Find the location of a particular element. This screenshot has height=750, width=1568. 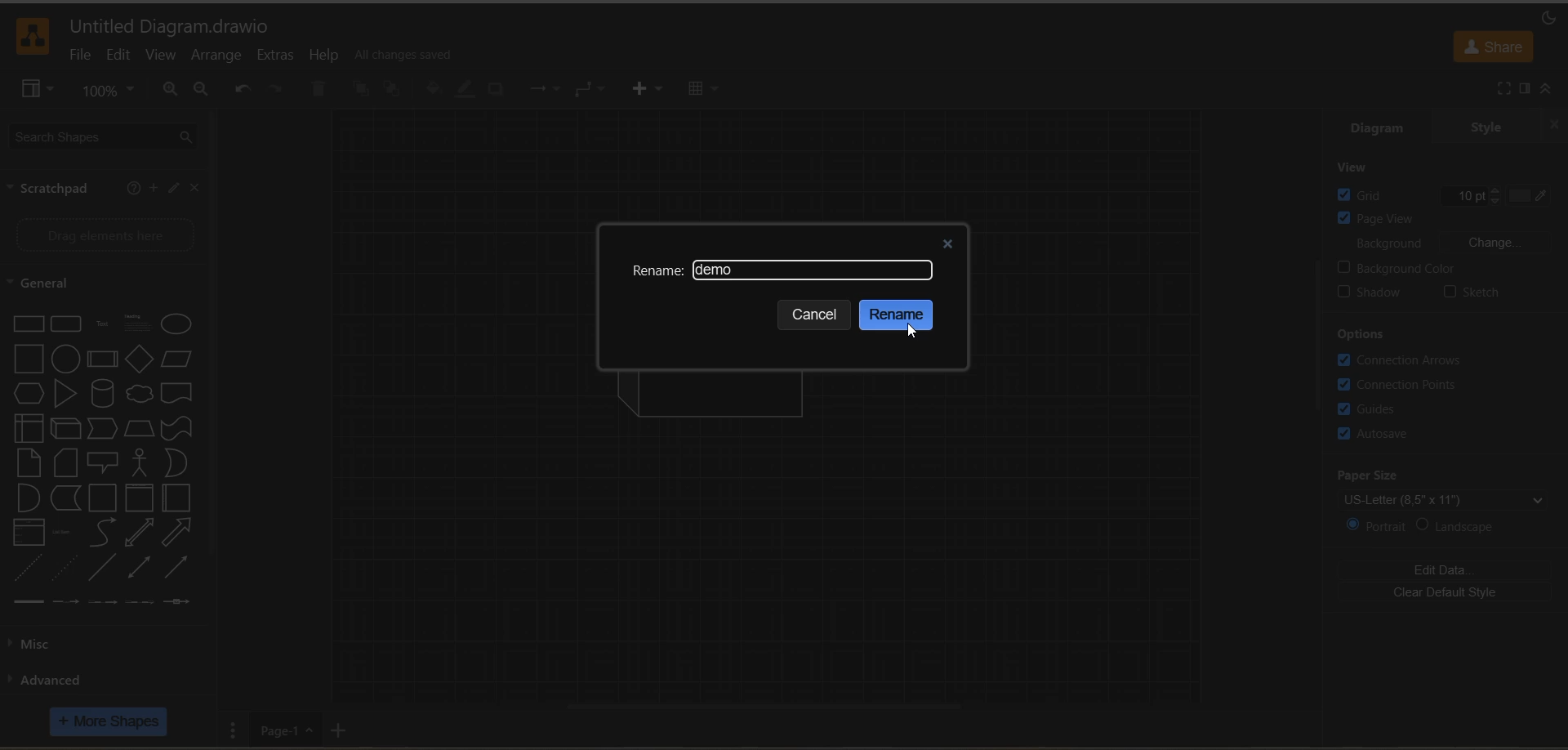

cursor at Rename is located at coordinates (911, 333).